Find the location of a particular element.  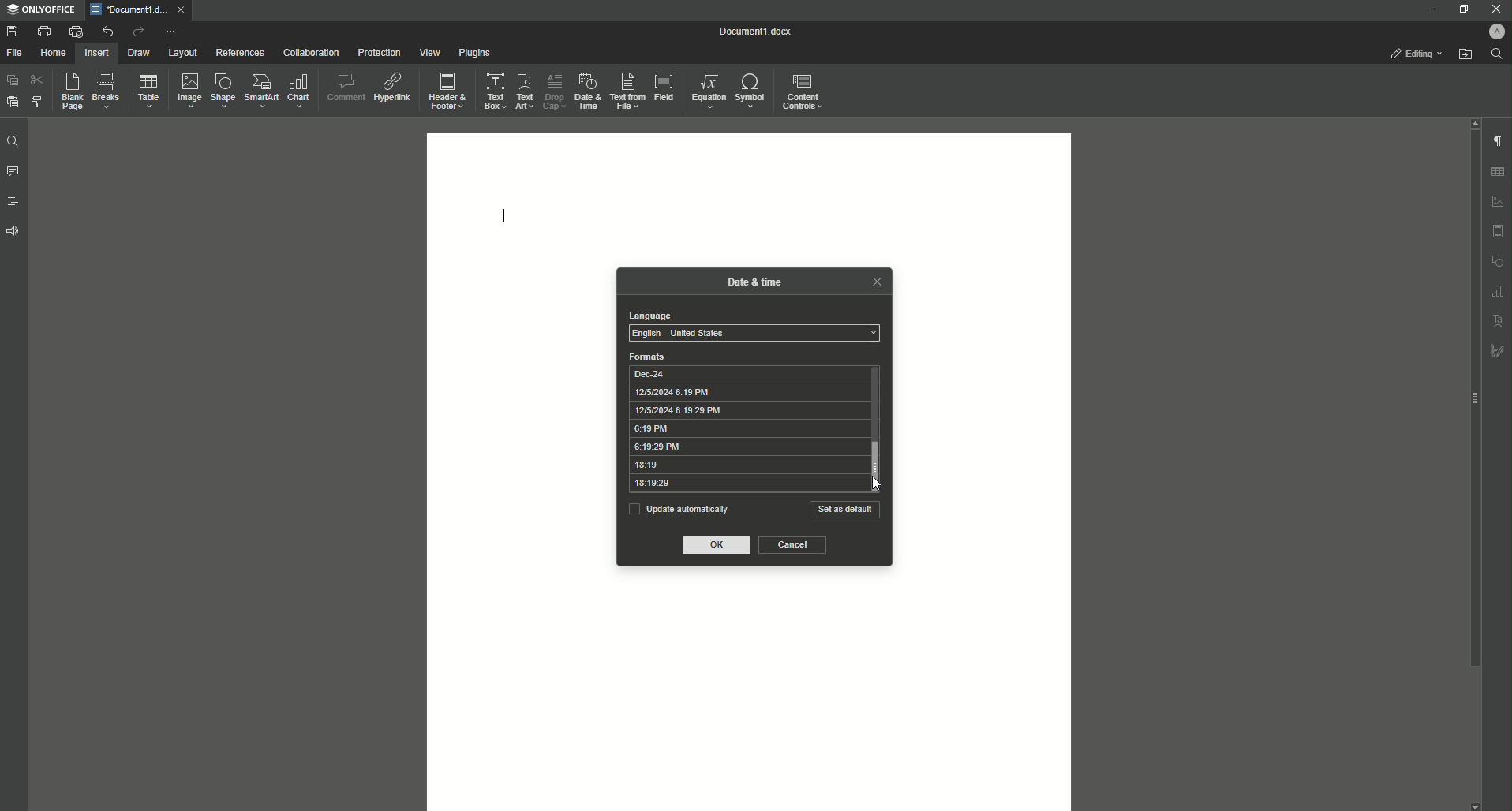

Cursor is located at coordinates (874, 483).